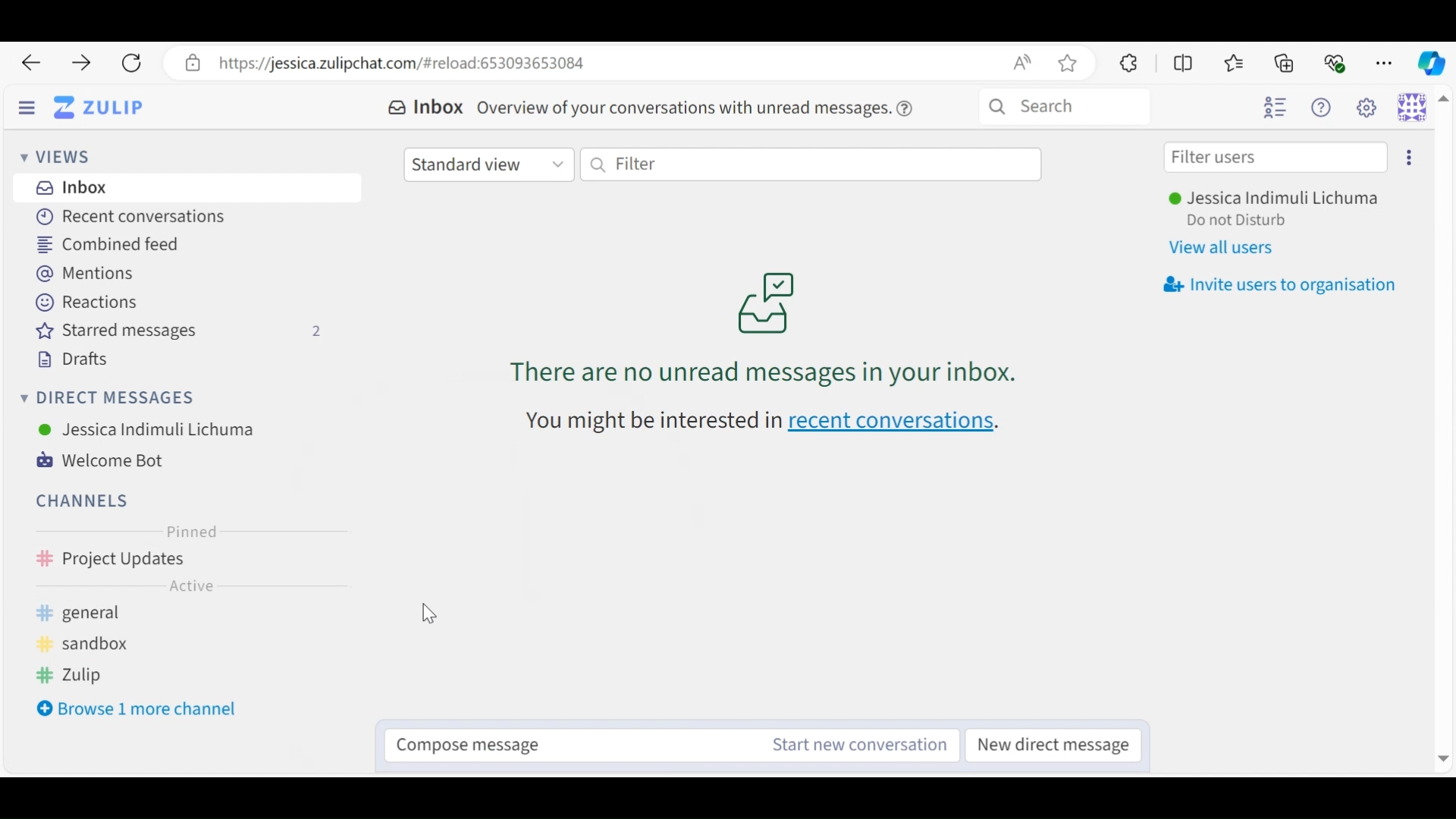 This screenshot has height=819, width=1456. What do you see at coordinates (126, 218) in the screenshot?
I see `Recent Conversations` at bounding box center [126, 218].